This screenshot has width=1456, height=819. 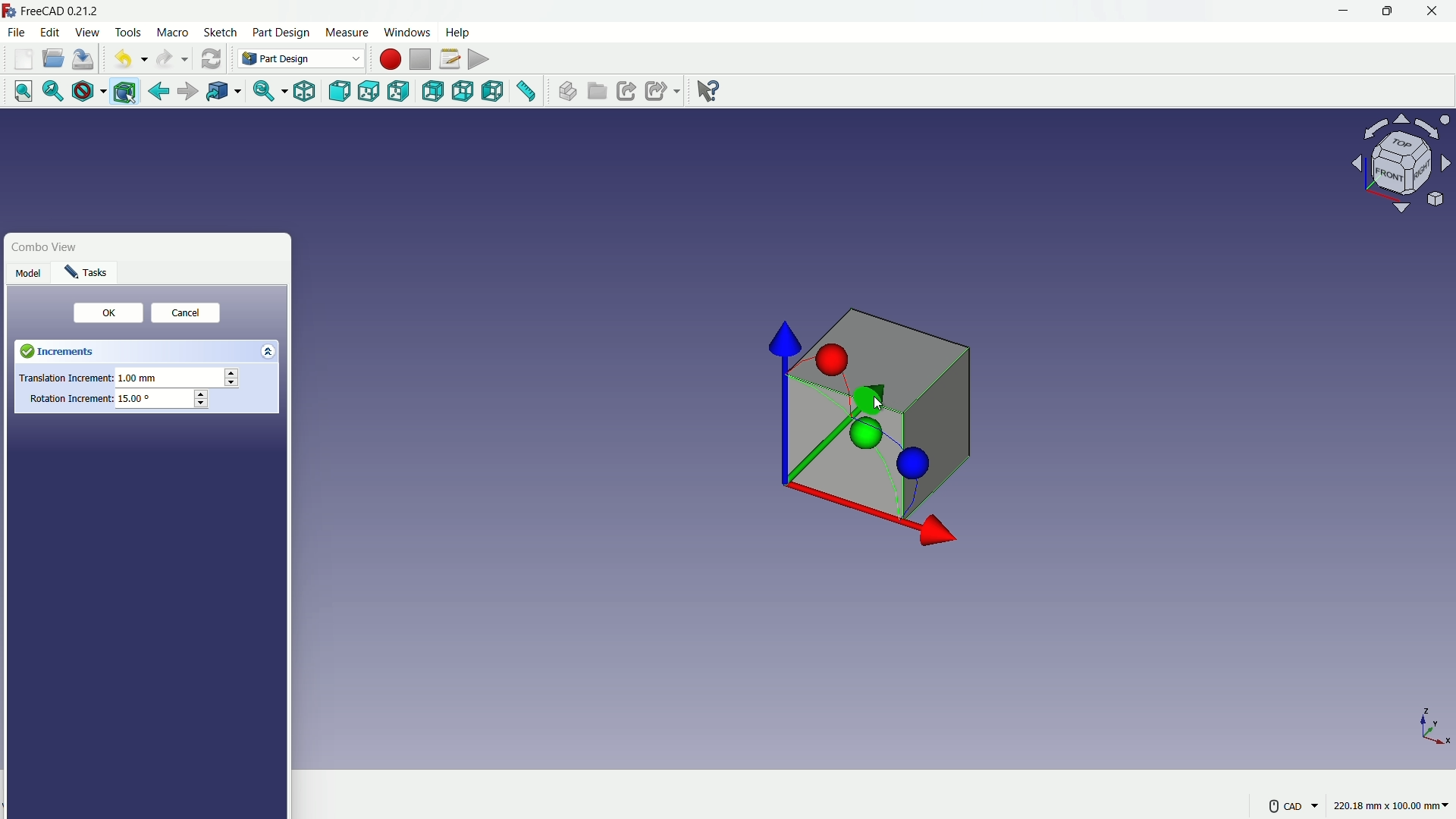 What do you see at coordinates (263, 93) in the screenshot?
I see `sync view` at bounding box center [263, 93].